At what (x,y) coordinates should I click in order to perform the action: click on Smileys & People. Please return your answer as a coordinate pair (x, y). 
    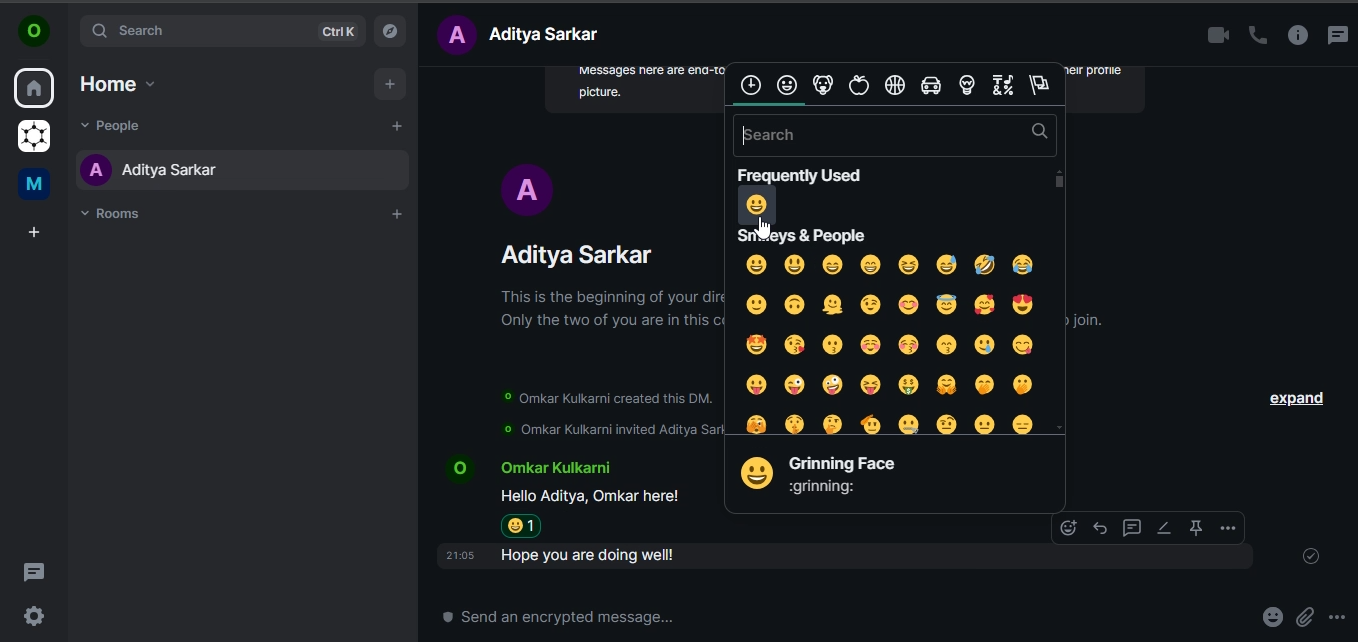
    Looking at the image, I should click on (798, 233).